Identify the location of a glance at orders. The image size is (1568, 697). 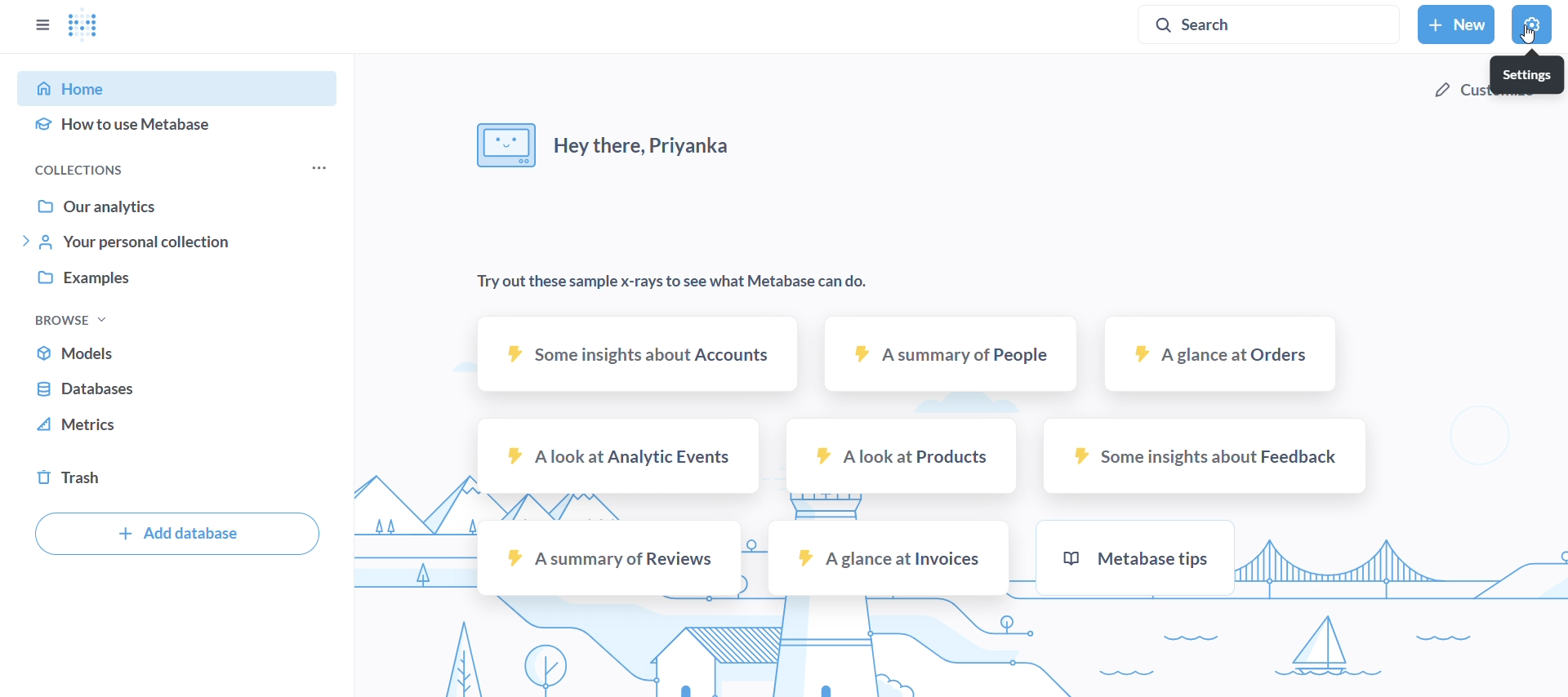
(1217, 357).